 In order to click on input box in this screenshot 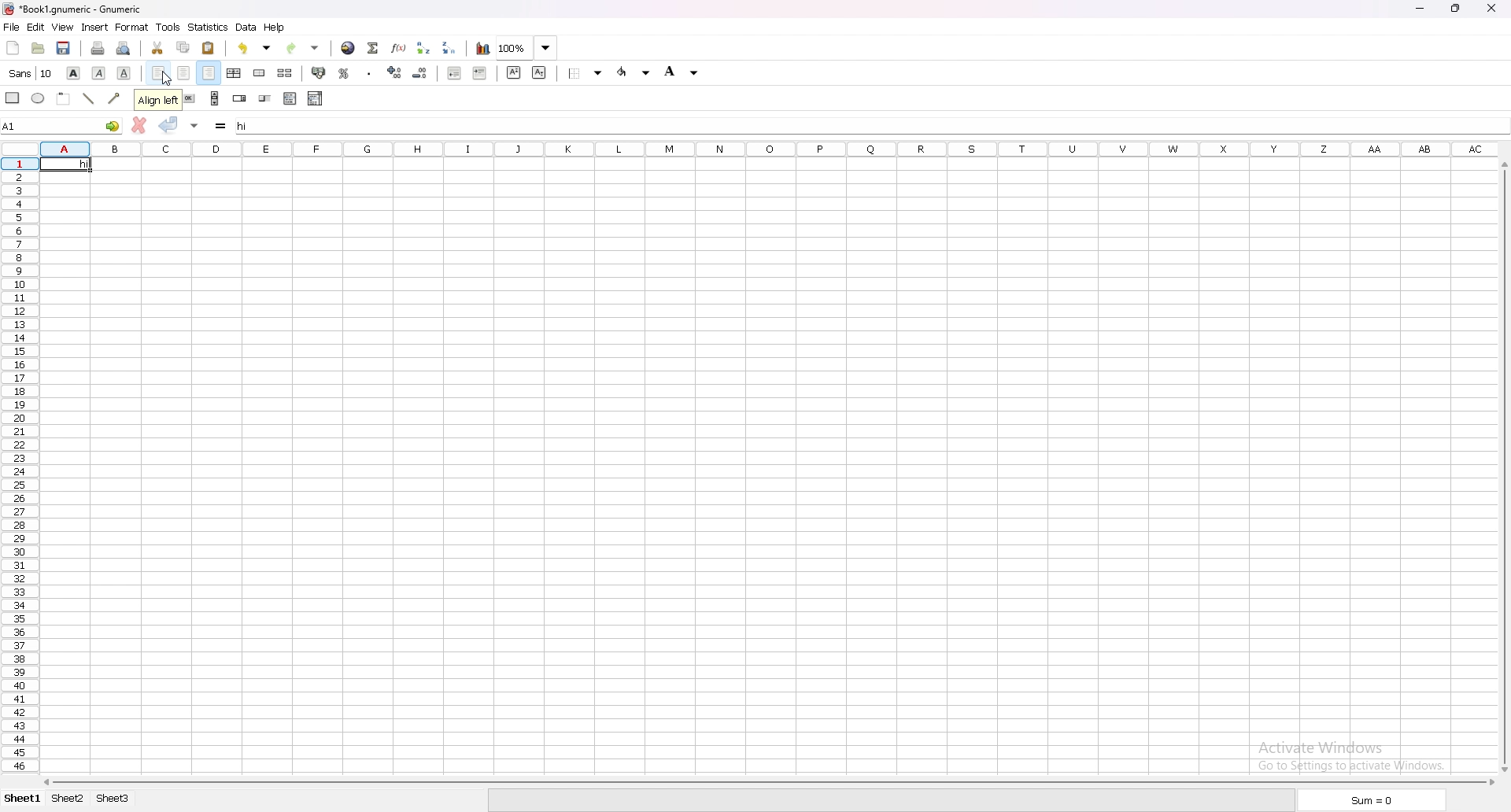, I will do `click(870, 123)`.